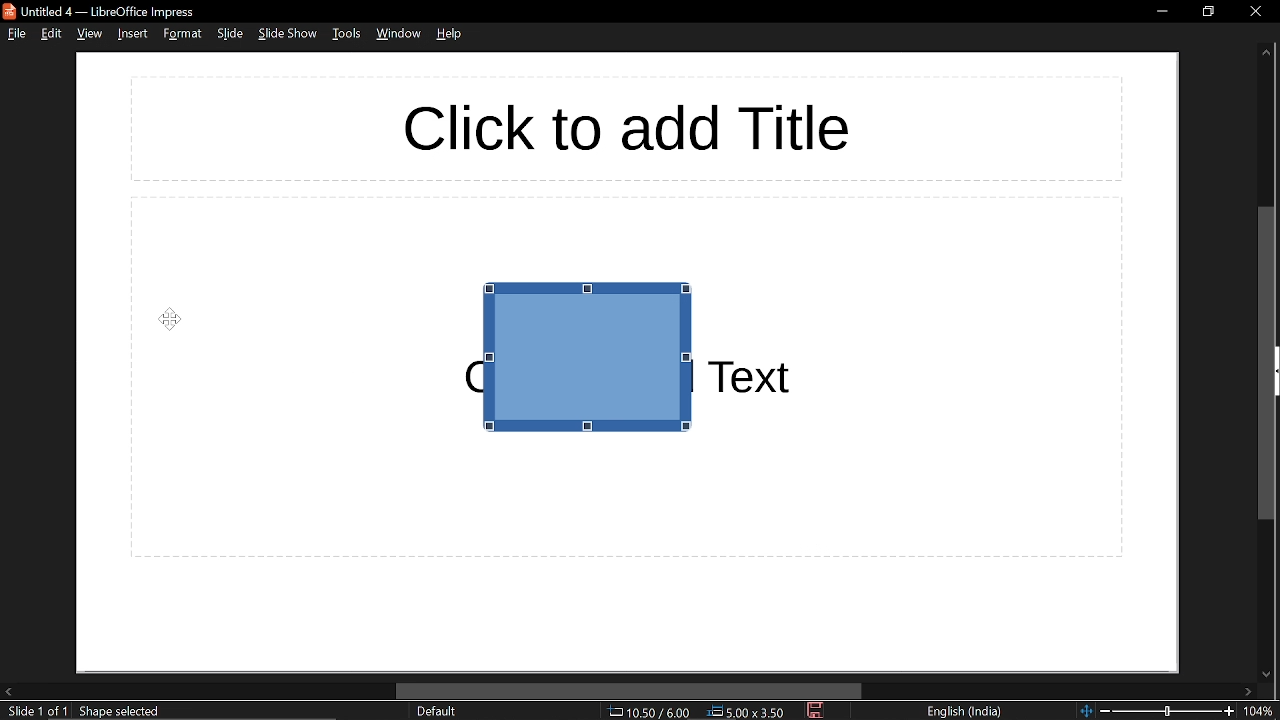  Describe the element at coordinates (100, 11) in the screenshot. I see `current window` at that location.